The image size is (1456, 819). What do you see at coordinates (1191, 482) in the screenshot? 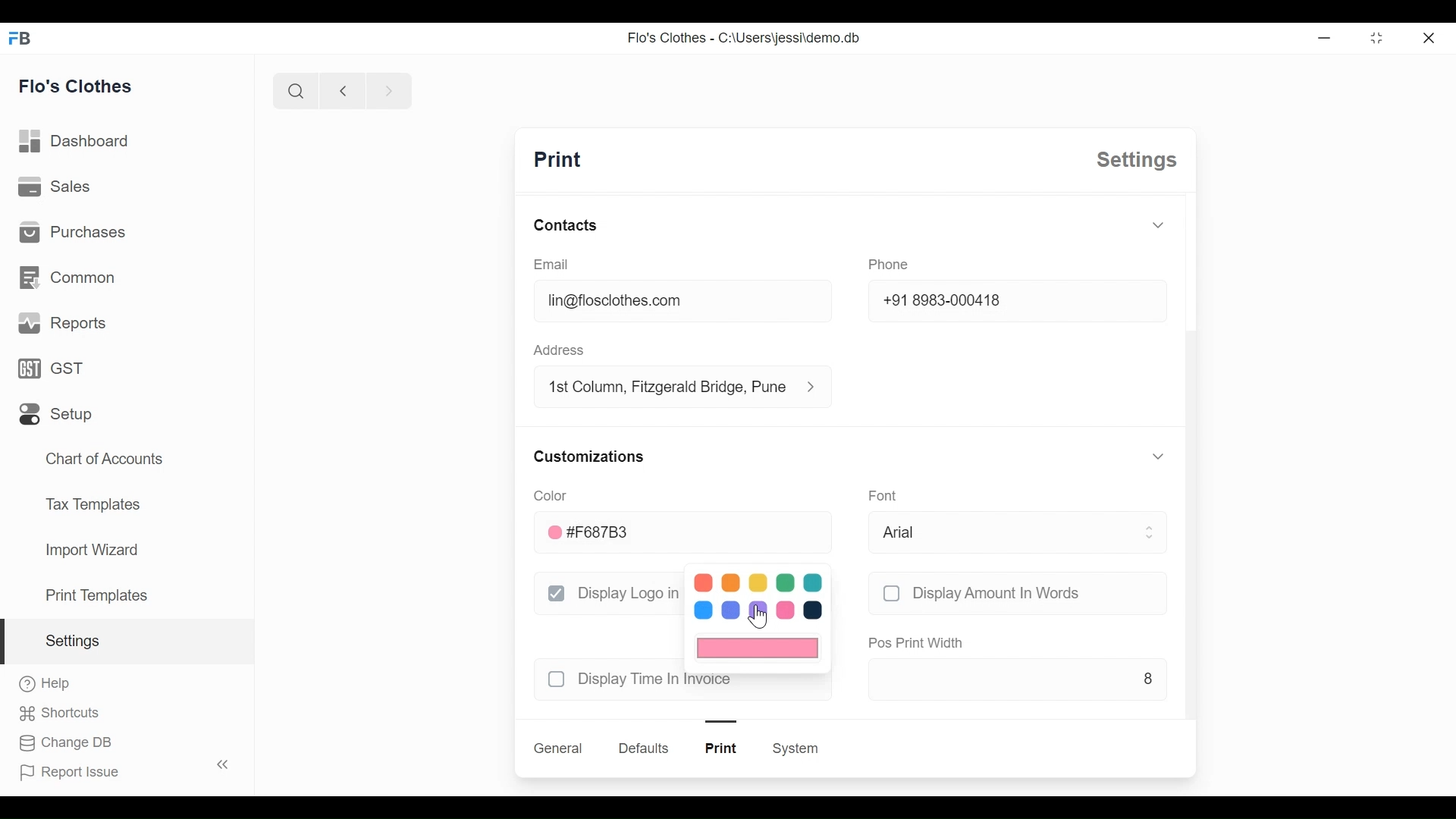
I see `scroll bar` at bounding box center [1191, 482].